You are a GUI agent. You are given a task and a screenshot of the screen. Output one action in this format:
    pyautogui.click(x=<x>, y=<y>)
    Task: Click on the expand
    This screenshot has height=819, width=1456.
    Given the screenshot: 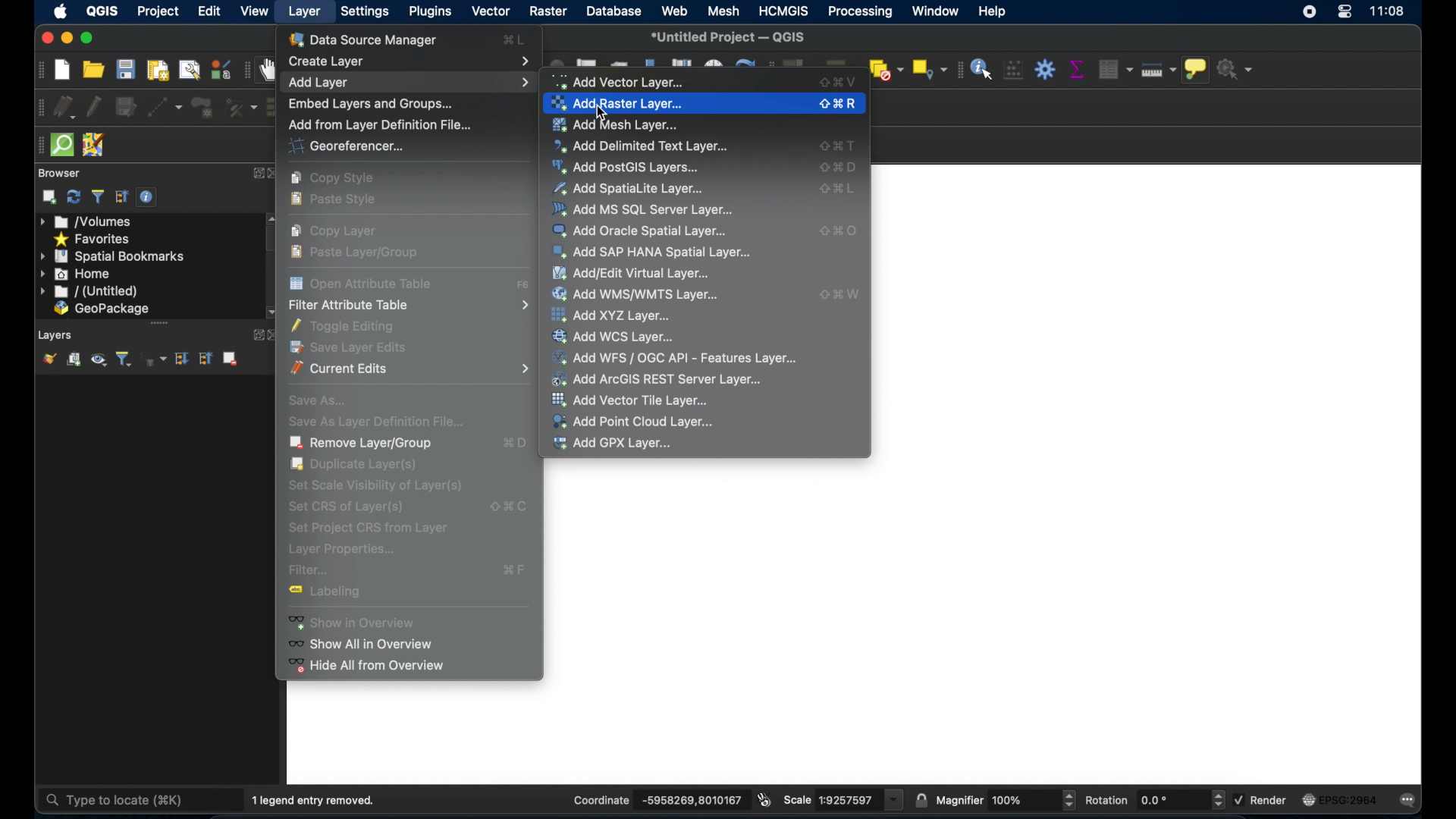 What is the action you would take?
    pyautogui.click(x=254, y=335)
    